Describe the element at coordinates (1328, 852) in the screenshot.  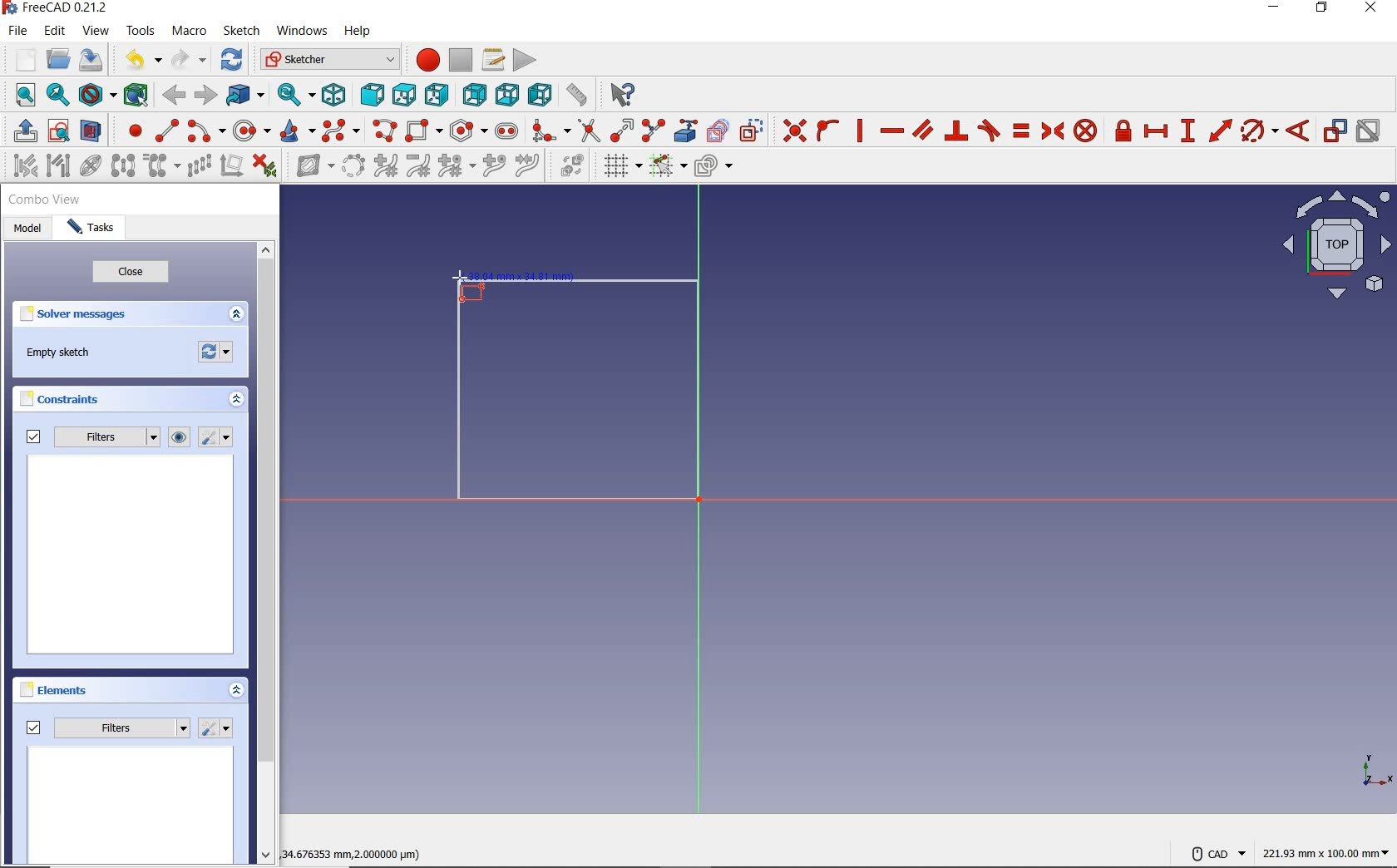
I see `dimension` at that location.